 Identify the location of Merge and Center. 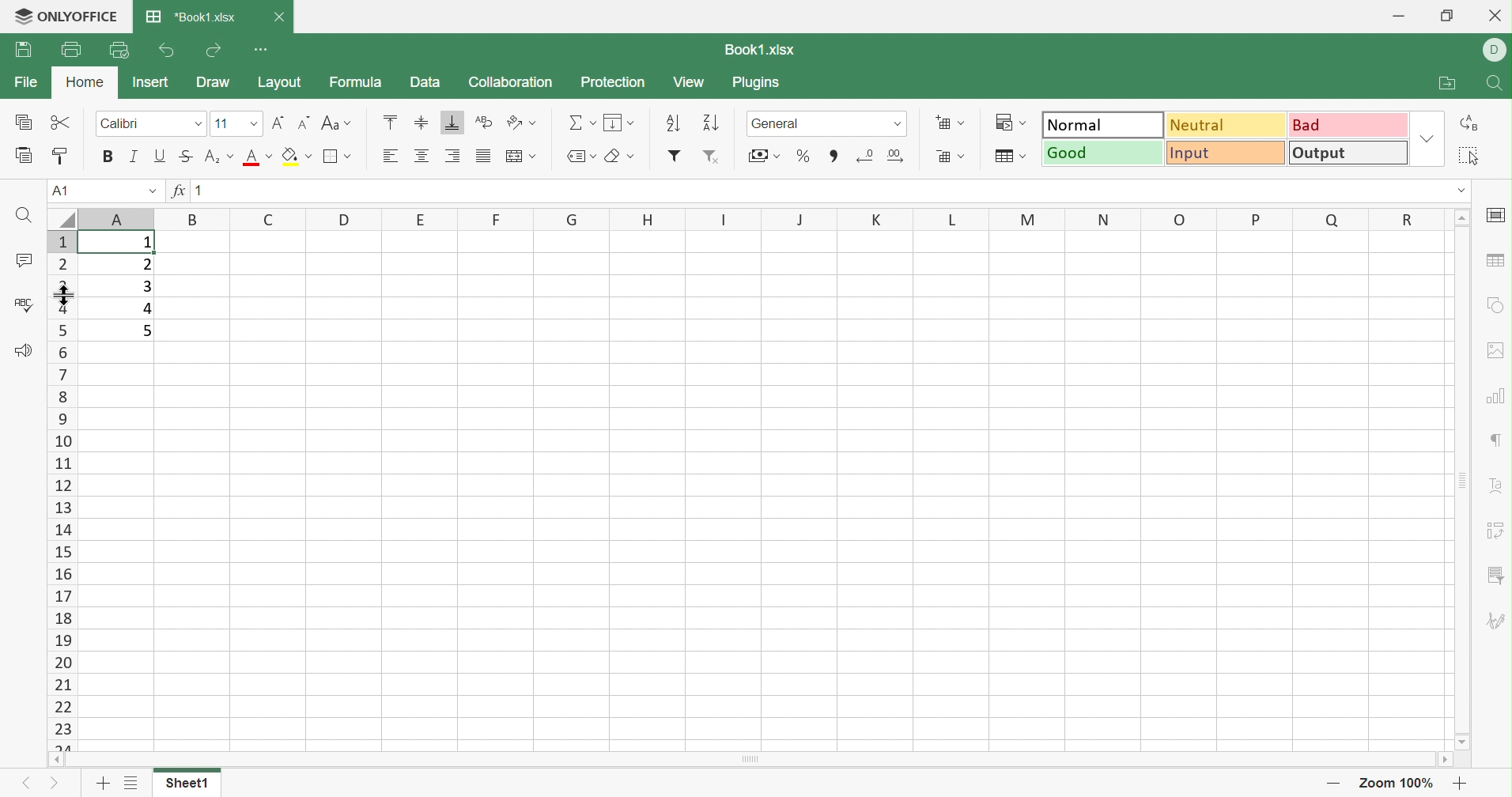
(513, 157).